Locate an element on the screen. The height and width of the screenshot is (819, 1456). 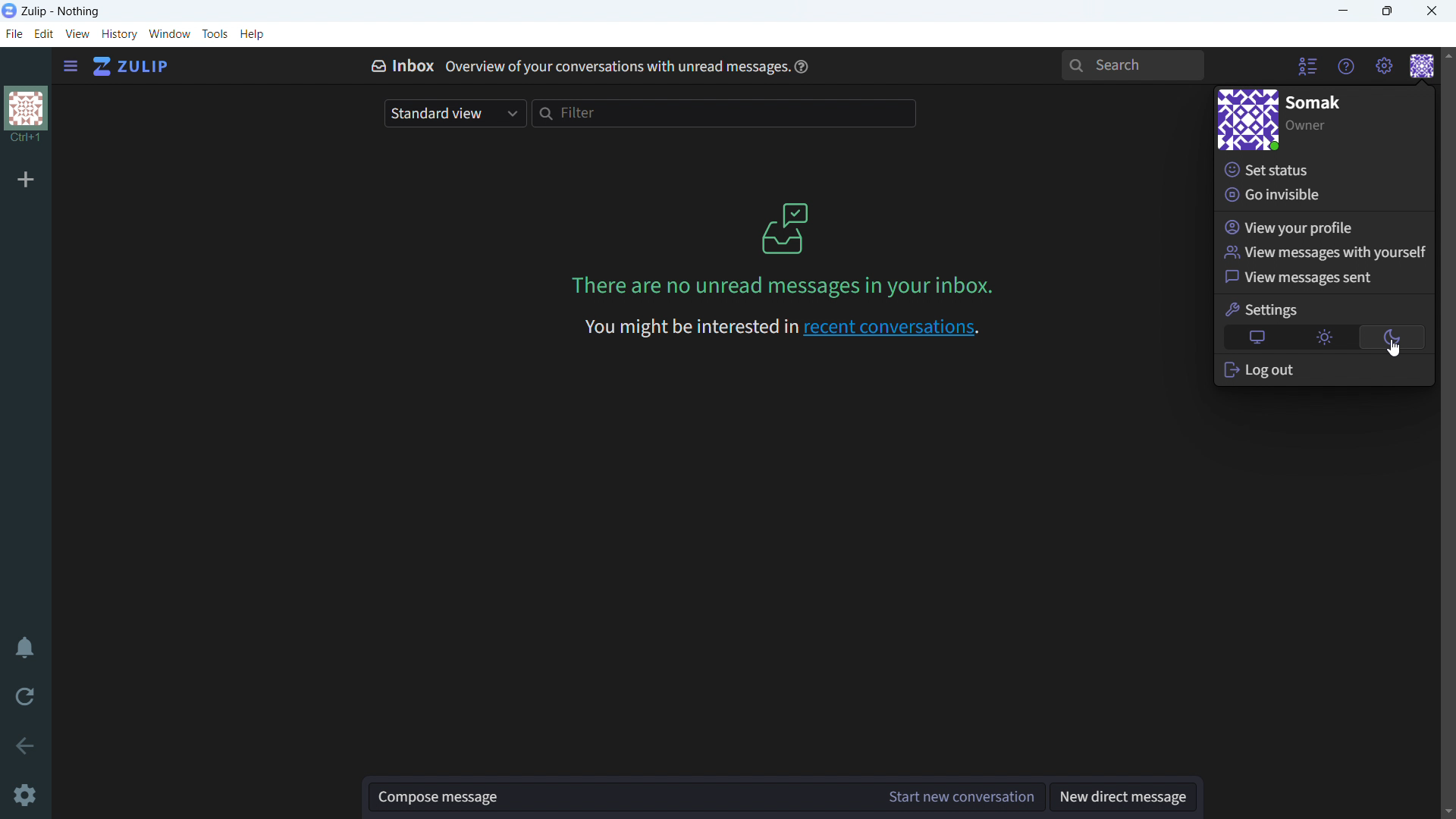
go back is located at coordinates (24, 746).